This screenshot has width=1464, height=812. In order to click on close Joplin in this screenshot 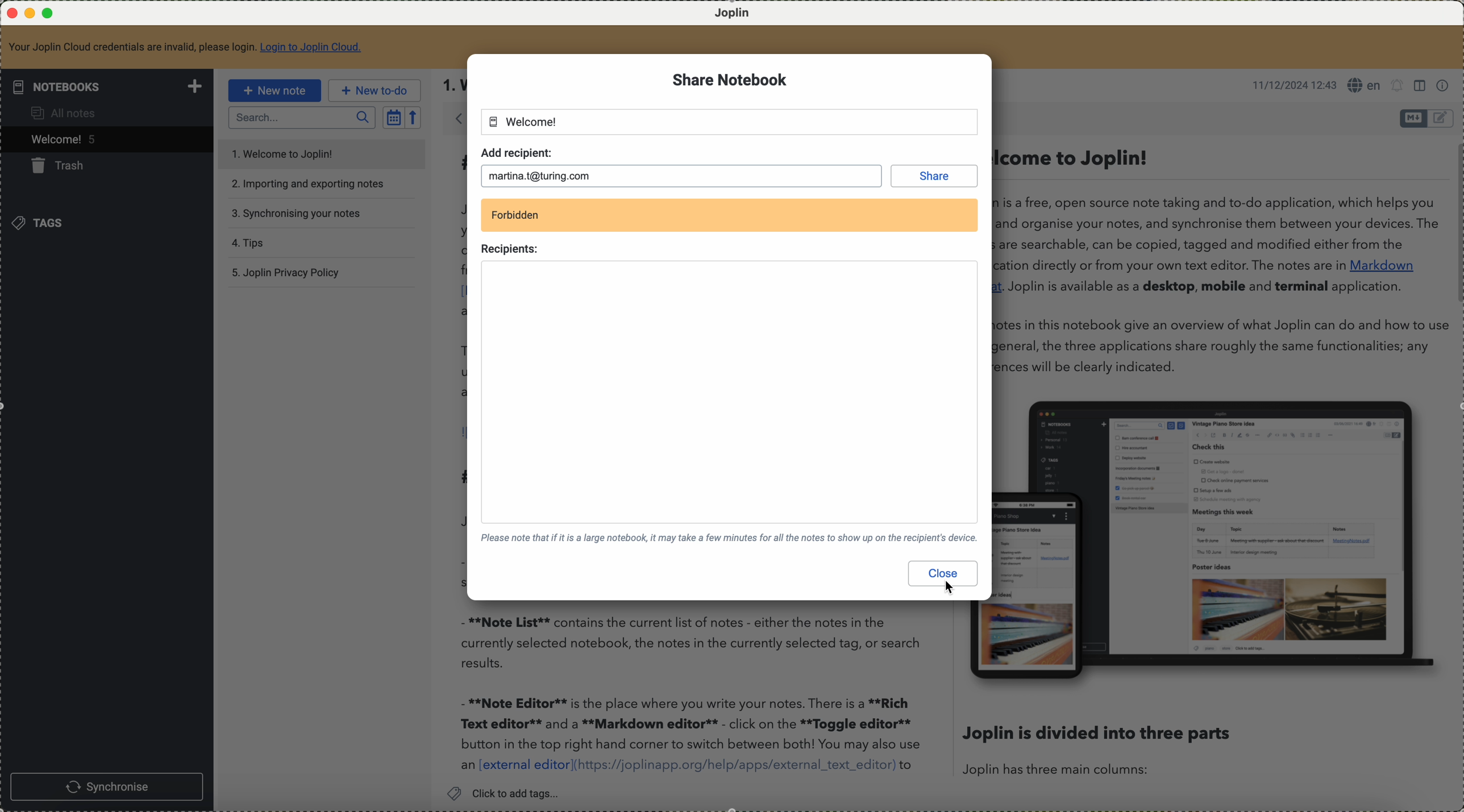, I will do `click(11, 14)`.